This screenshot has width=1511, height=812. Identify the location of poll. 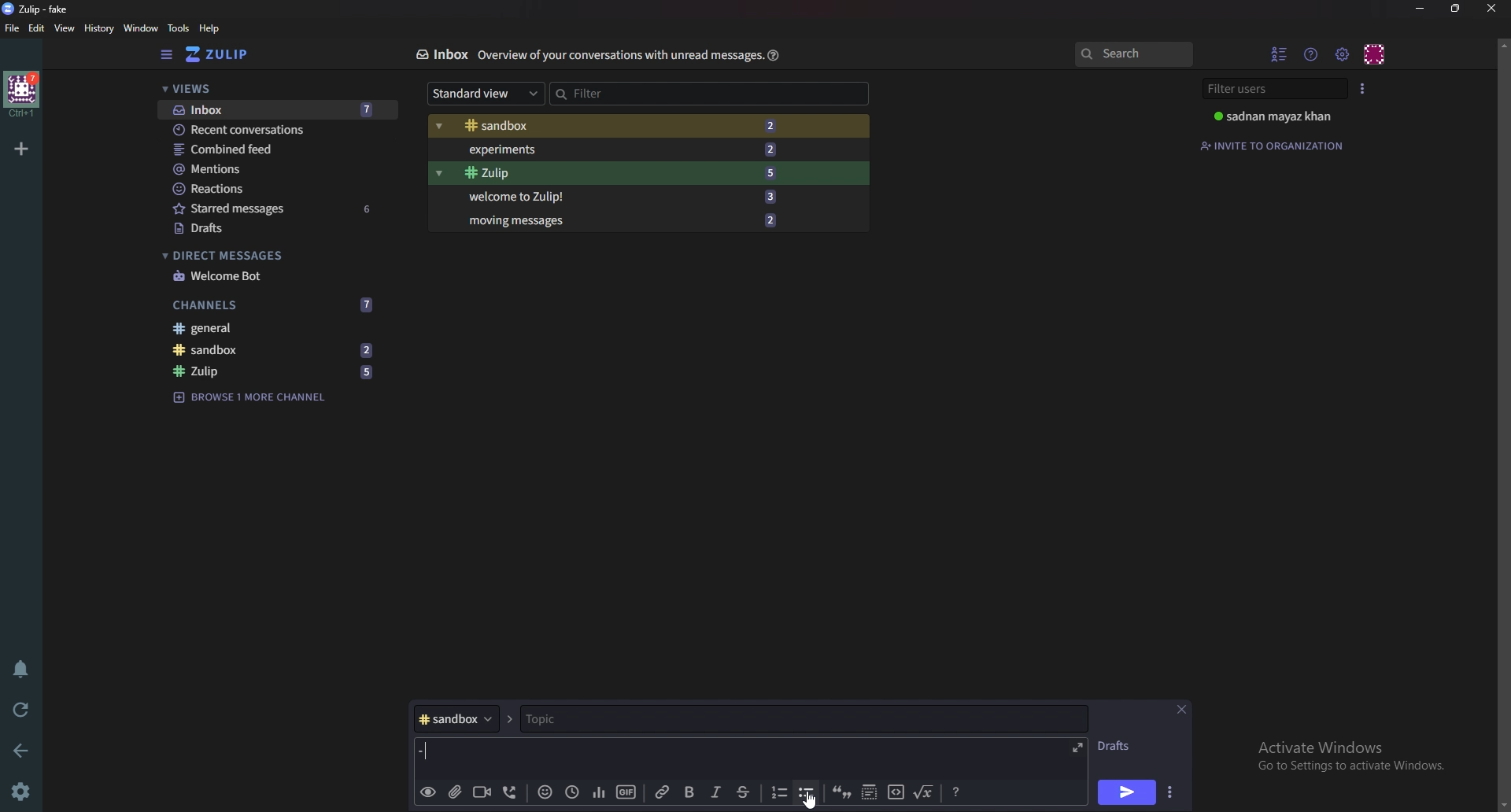
(599, 791).